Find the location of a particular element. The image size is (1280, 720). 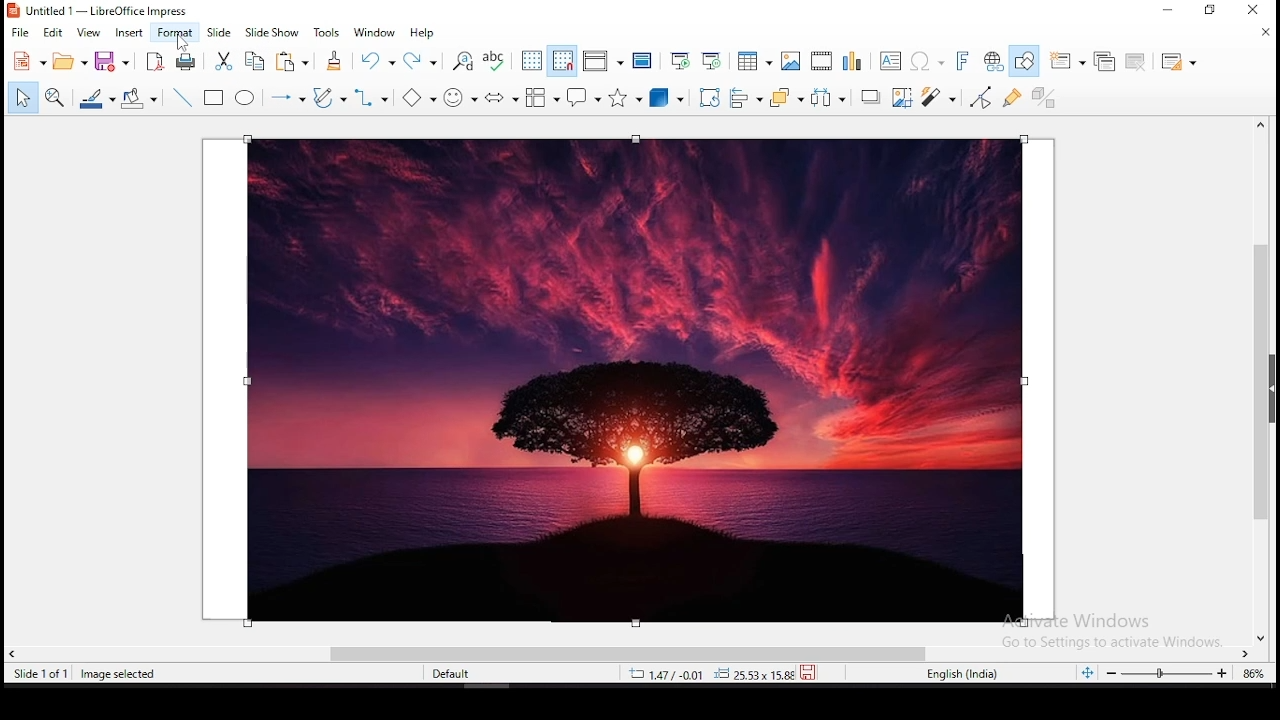

spell check is located at coordinates (496, 59).